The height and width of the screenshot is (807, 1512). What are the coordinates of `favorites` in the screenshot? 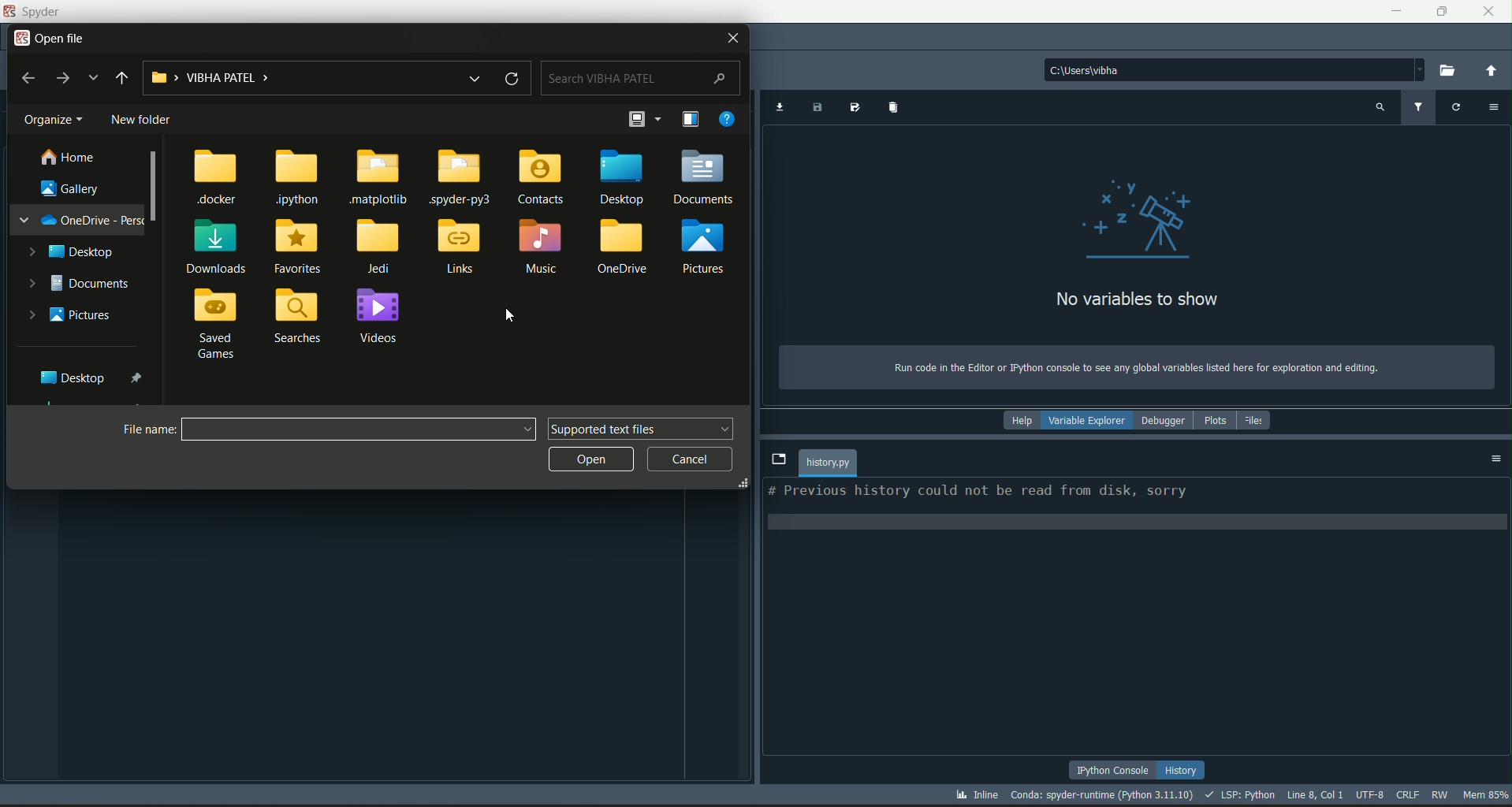 It's located at (297, 247).